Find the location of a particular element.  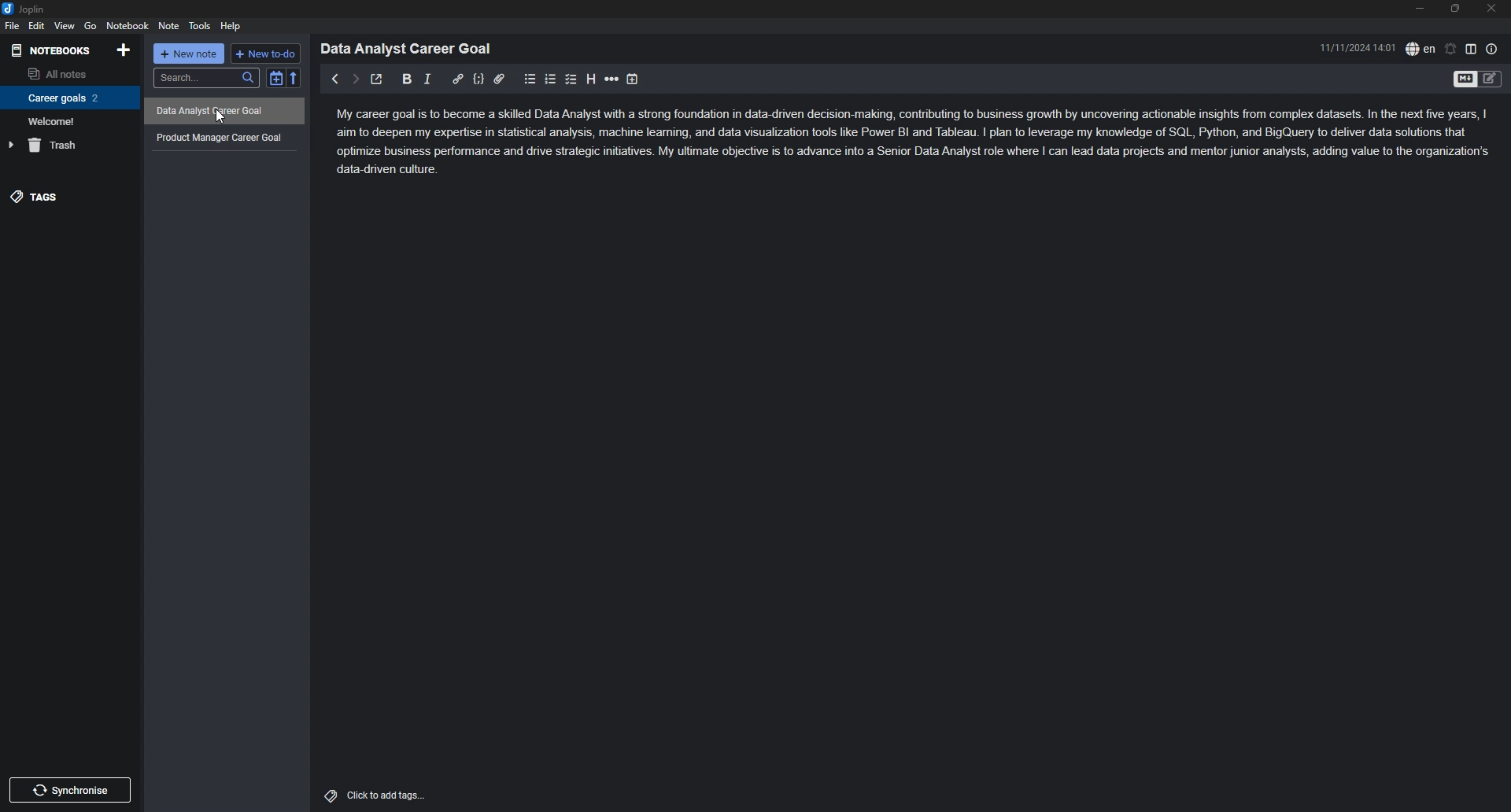

next is located at coordinates (355, 79).